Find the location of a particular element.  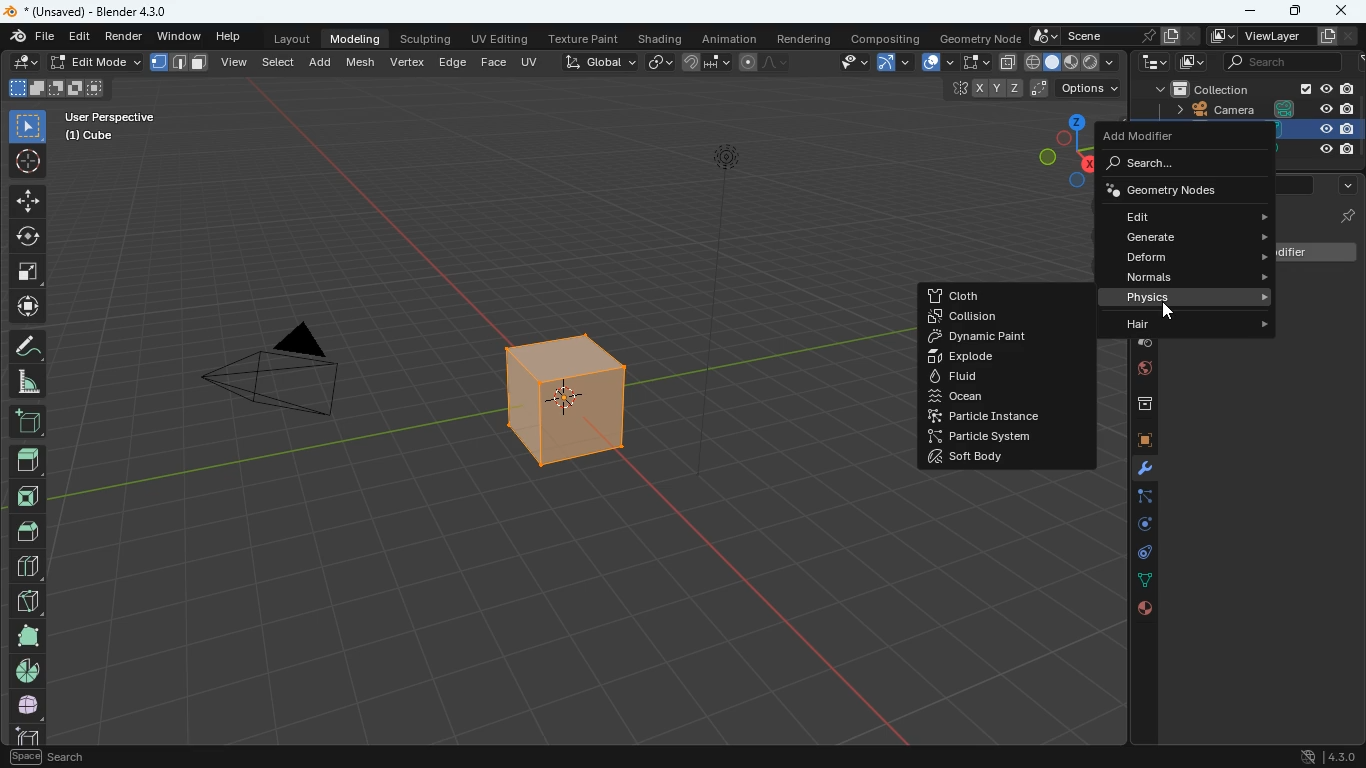

shading is located at coordinates (662, 37).